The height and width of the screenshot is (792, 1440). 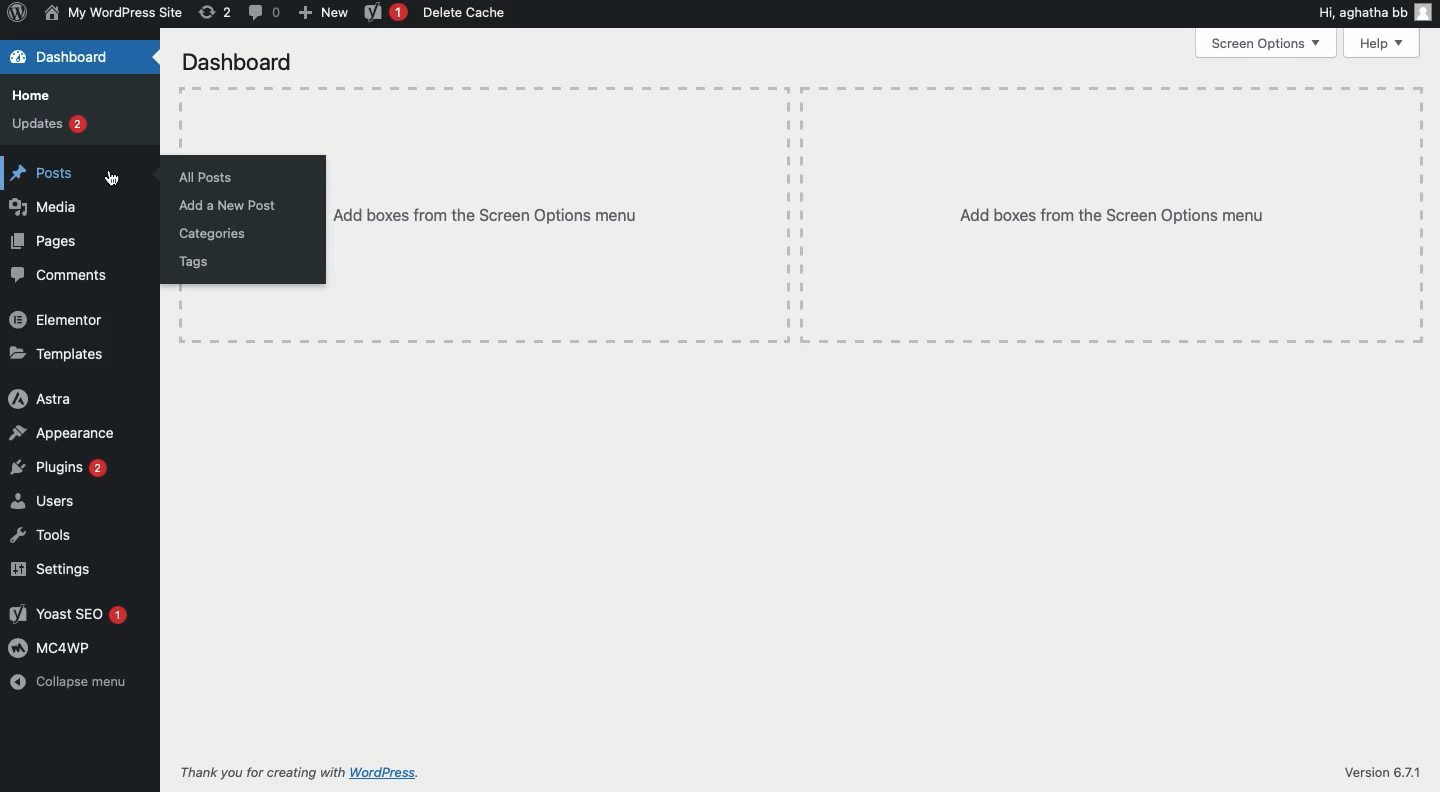 I want to click on  cursor, so click(x=110, y=178).